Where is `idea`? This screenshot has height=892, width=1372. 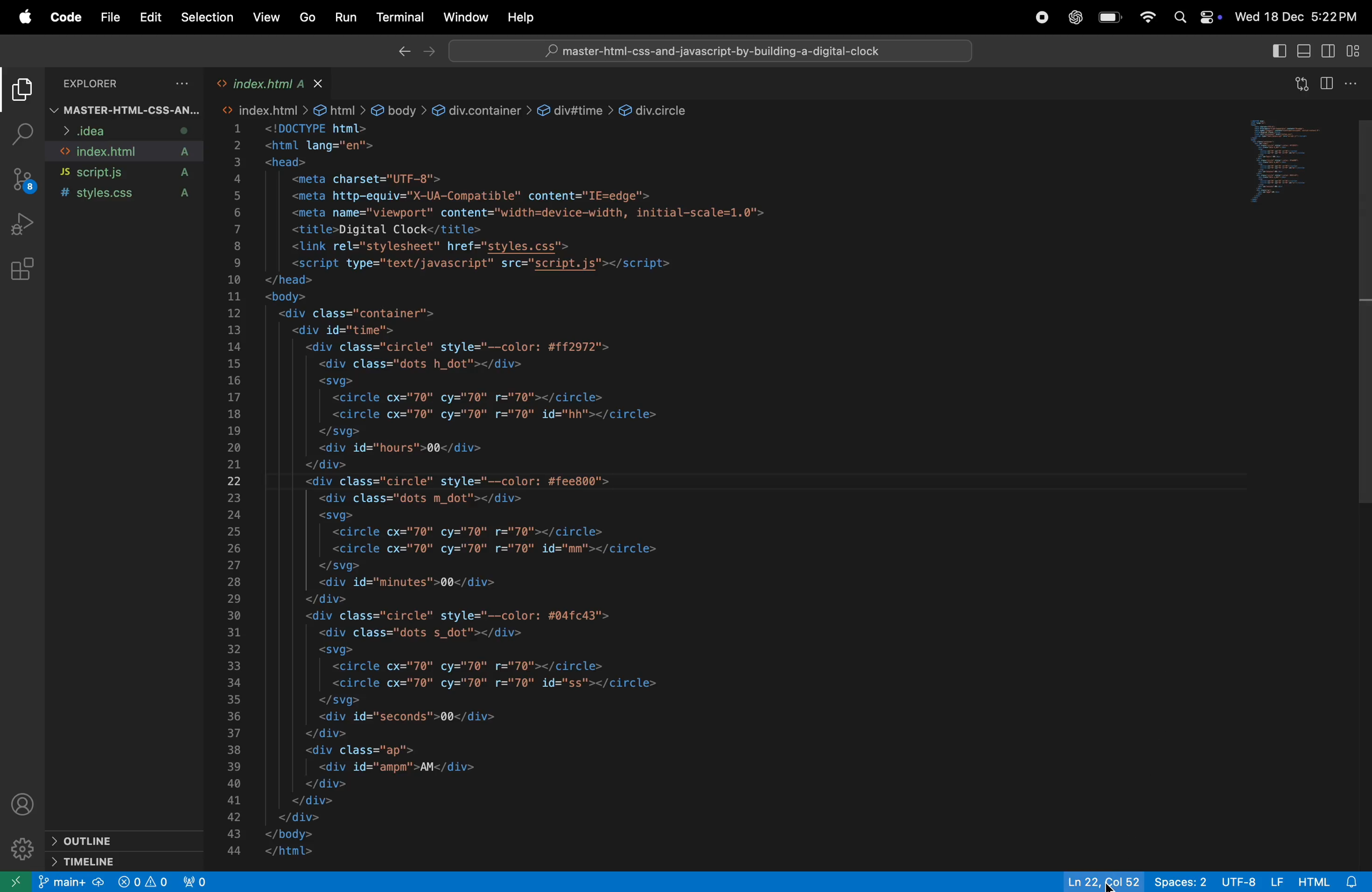
idea is located at coordinates (119, 131).